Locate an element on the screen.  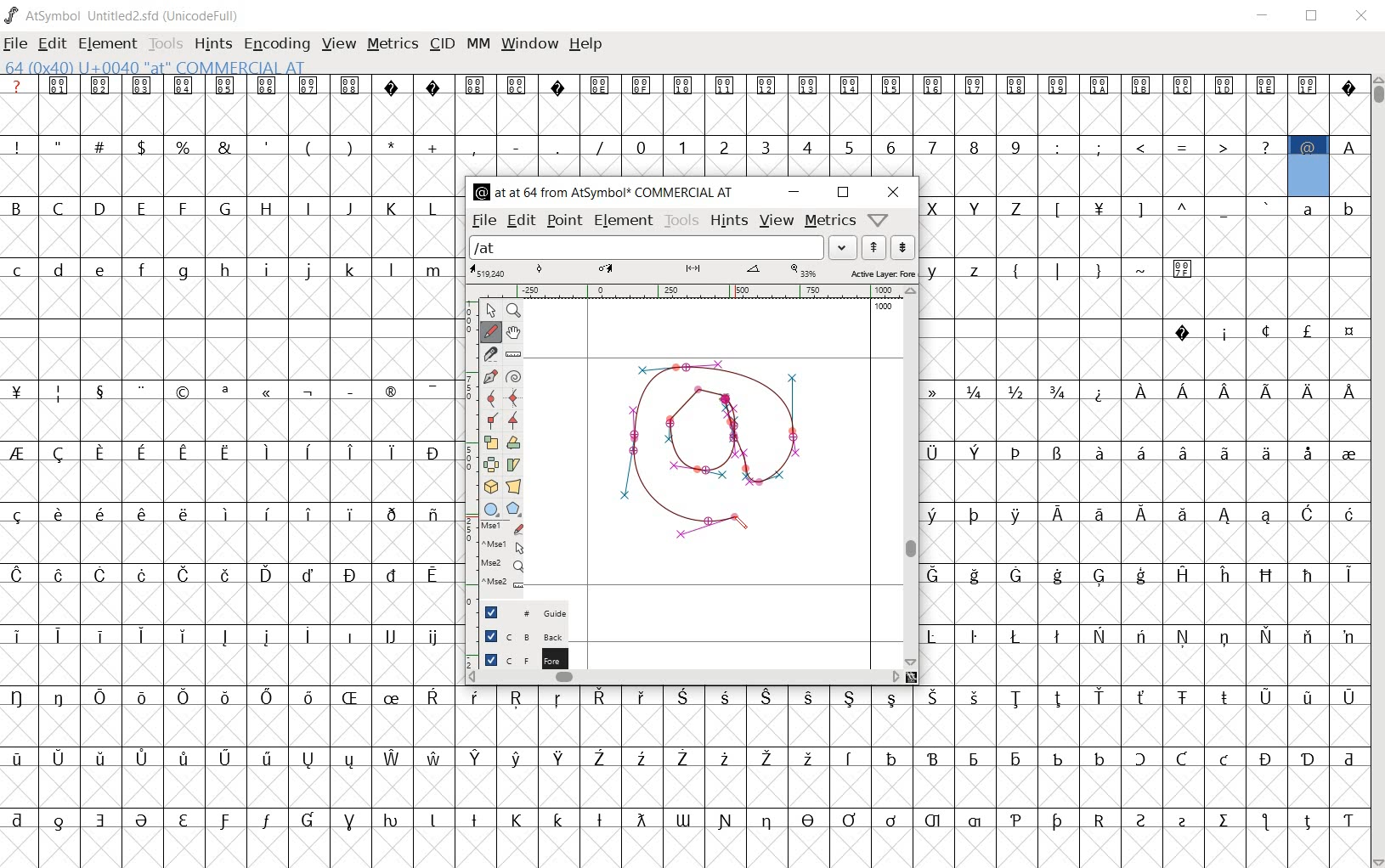
background is located at coordinates (540, 635).